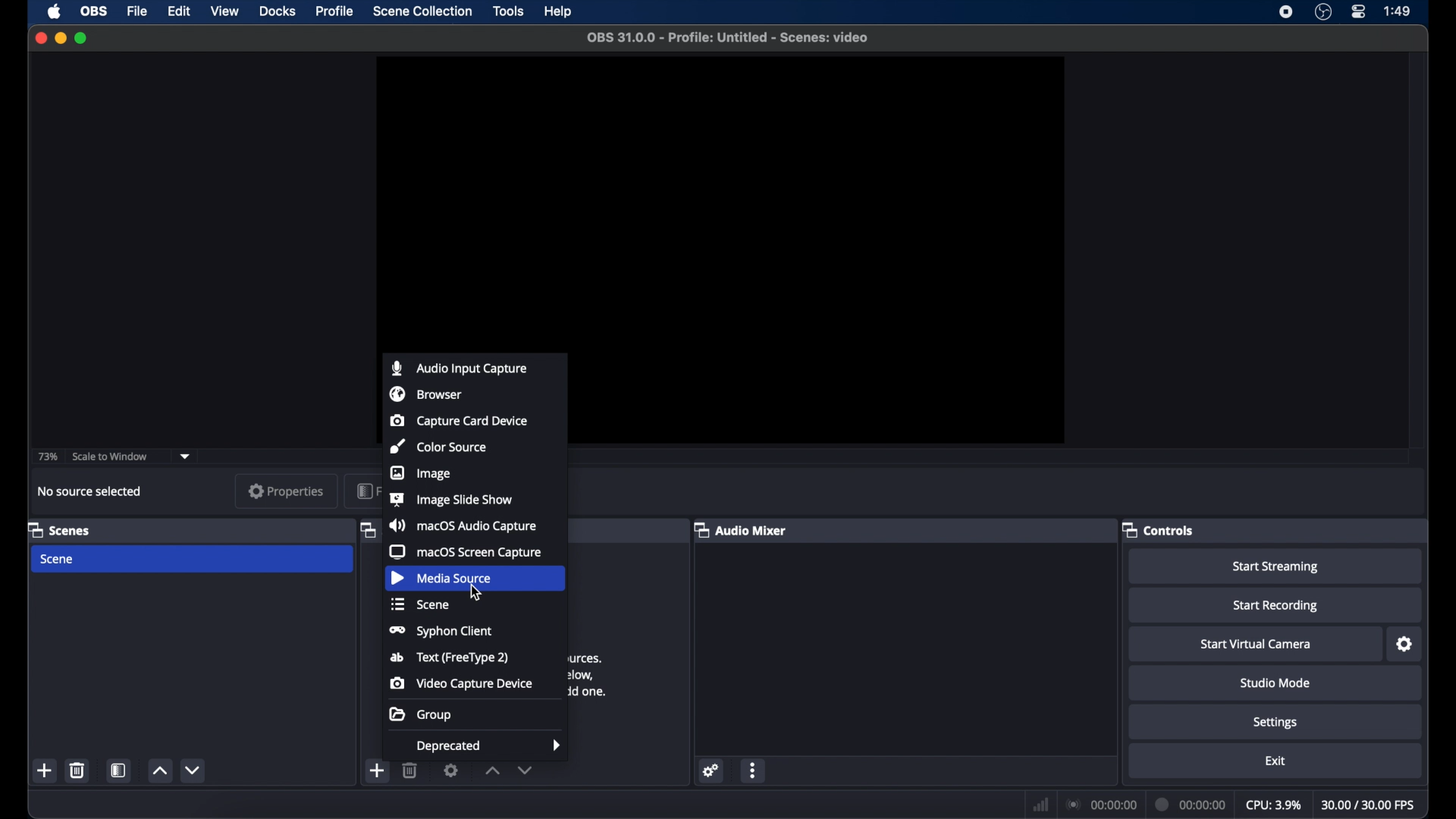 This screenshot has width=1456, height=819. Describe the element at coordinates (422, 11) in the screenshot. I see `scene collection` at that location.